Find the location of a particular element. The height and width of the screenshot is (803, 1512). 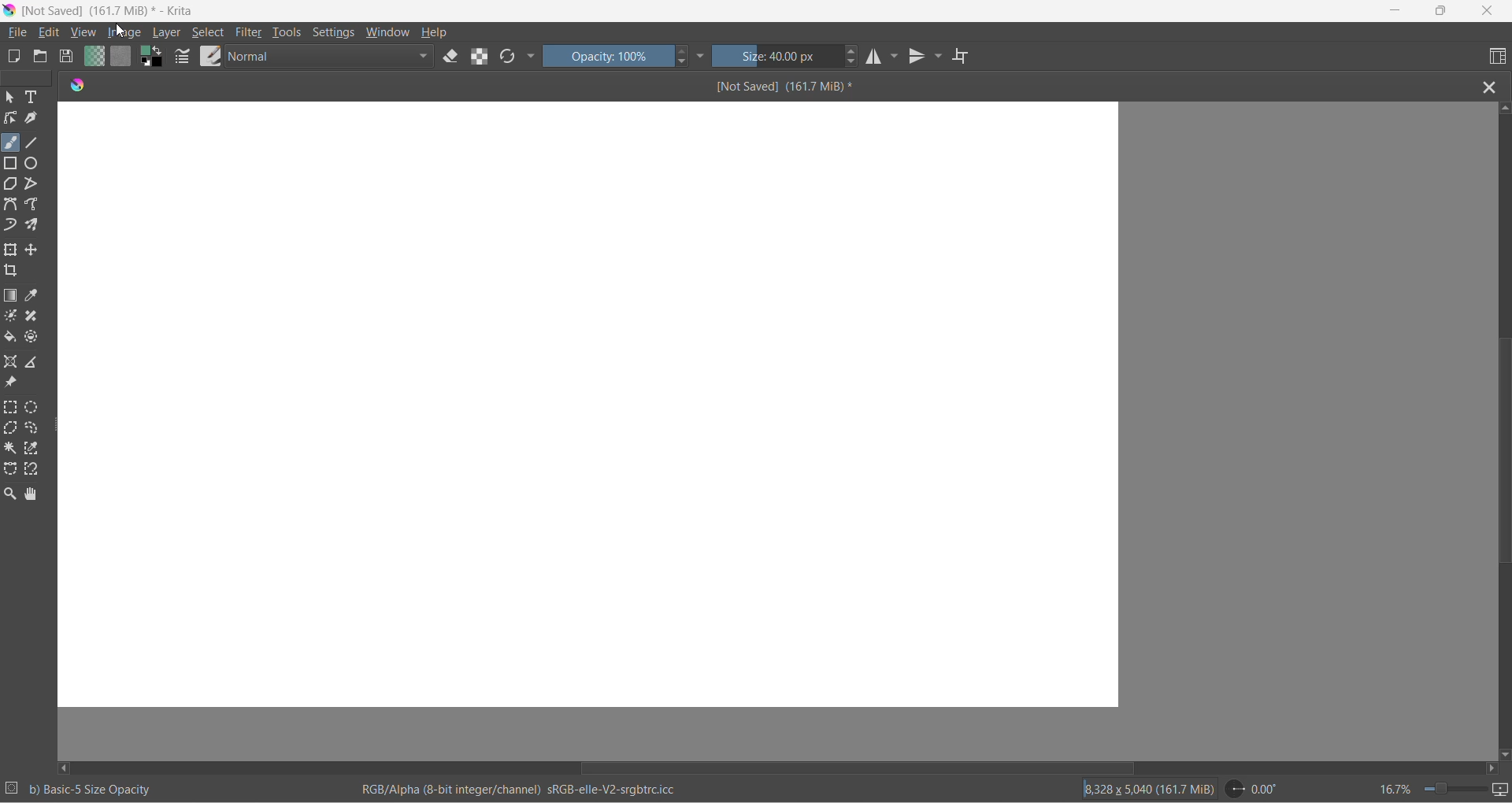

scroll right button is located at coordinates (1490, 768).